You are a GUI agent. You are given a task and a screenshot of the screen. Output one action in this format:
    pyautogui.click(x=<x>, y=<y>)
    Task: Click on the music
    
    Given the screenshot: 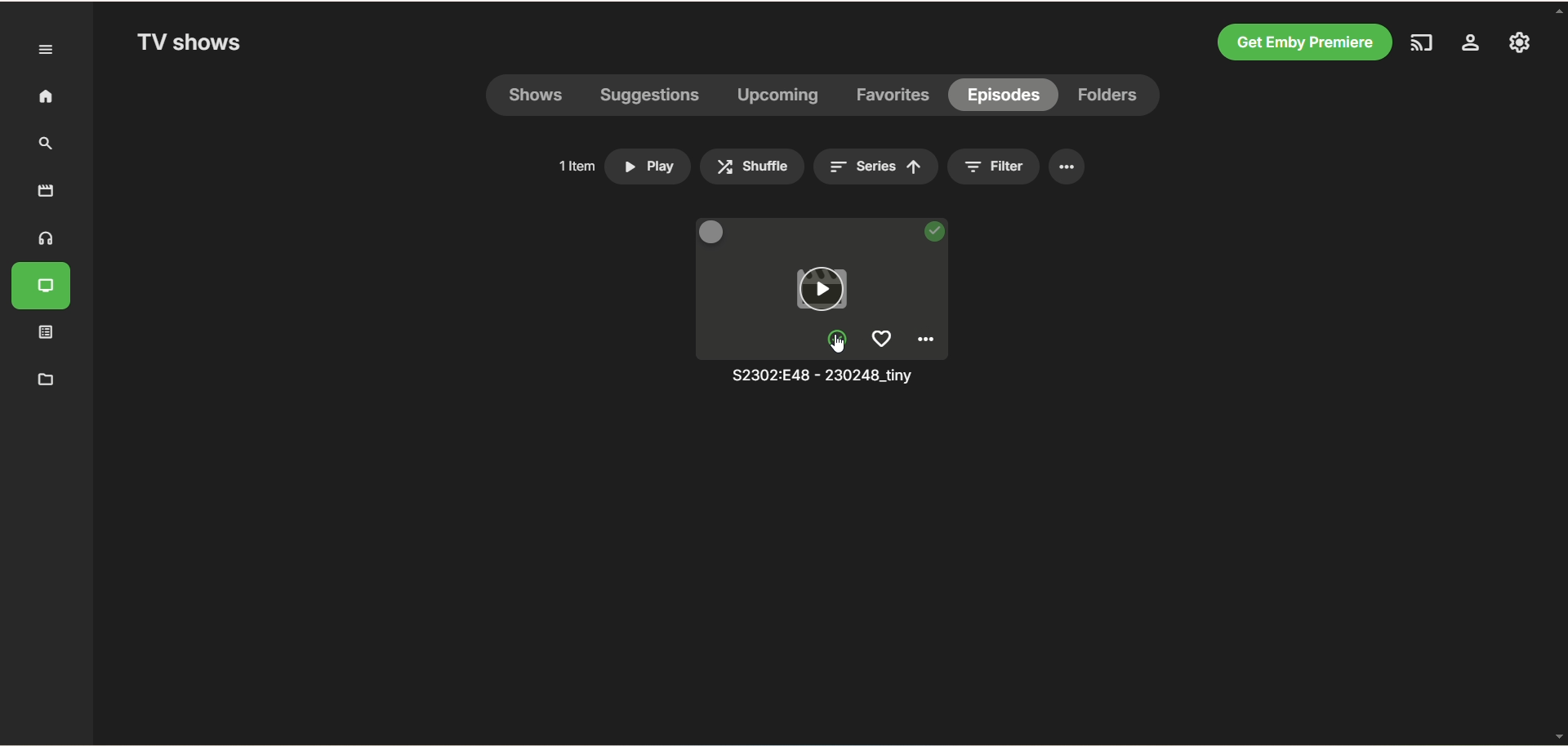 What is the action you would take?
    pyautogui.click(x=48, y=240)
    